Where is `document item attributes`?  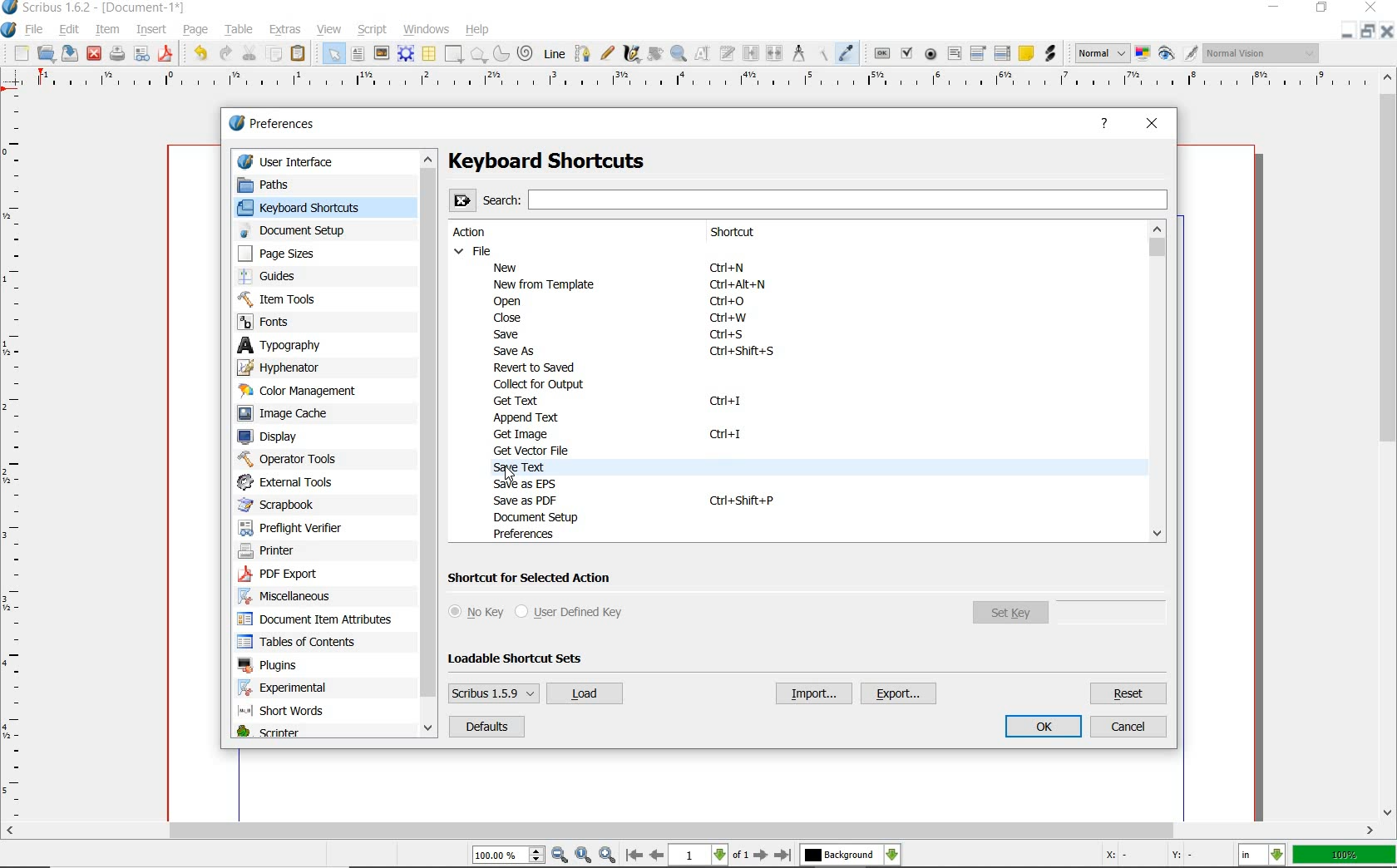 document item attributes is located at coordinates (320, 620).